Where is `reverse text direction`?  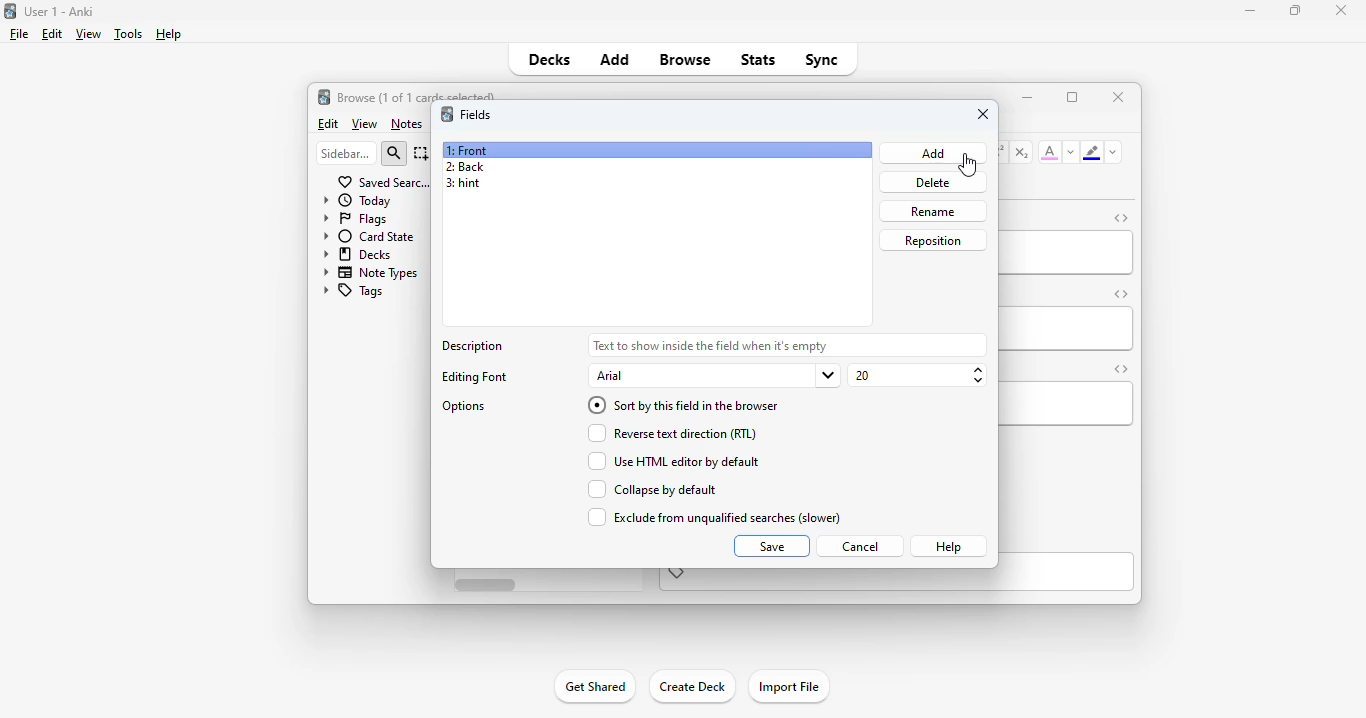
reverse text direction is located at coordinates (669, 433).